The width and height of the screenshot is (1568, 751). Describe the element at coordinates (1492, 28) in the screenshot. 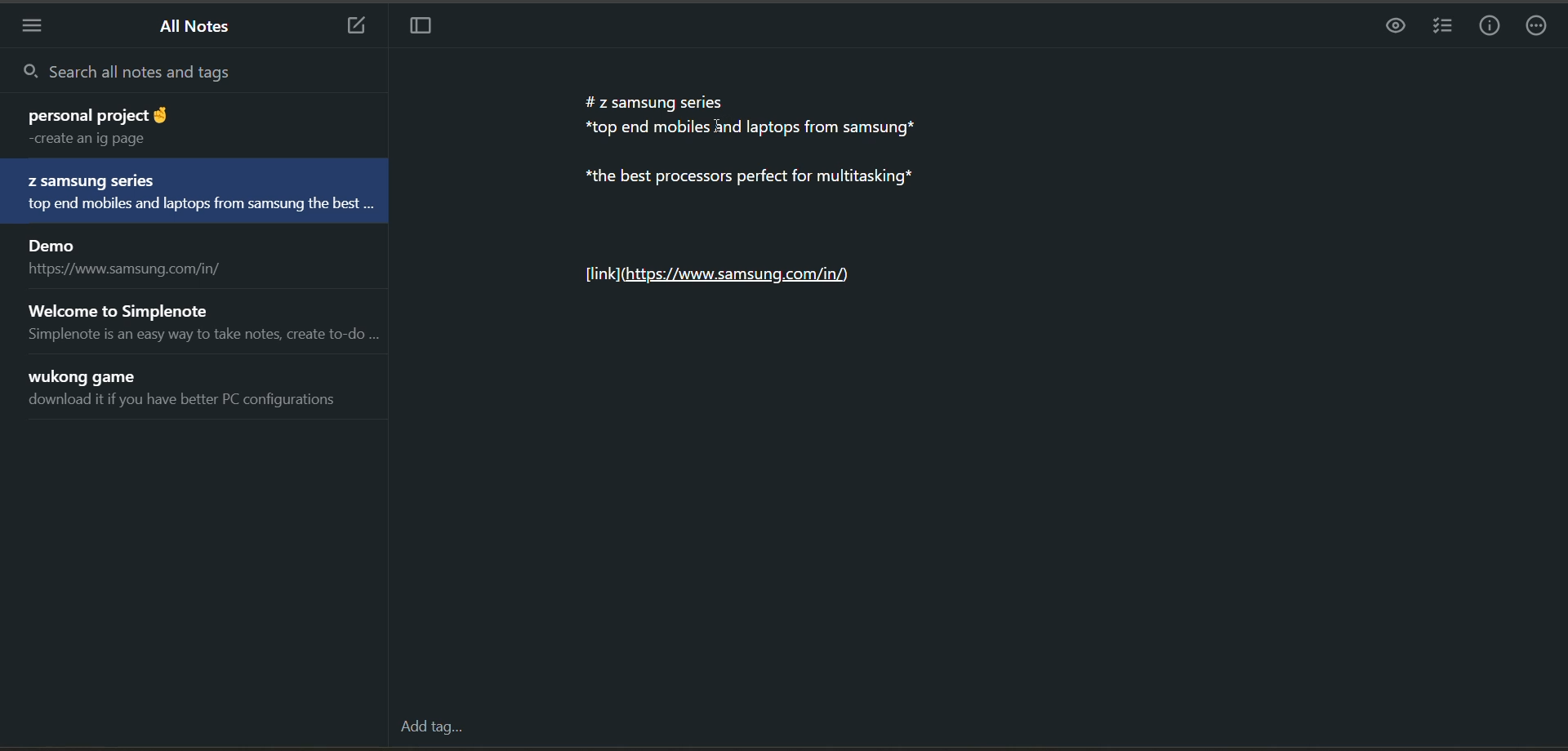

I see `info` at that location.